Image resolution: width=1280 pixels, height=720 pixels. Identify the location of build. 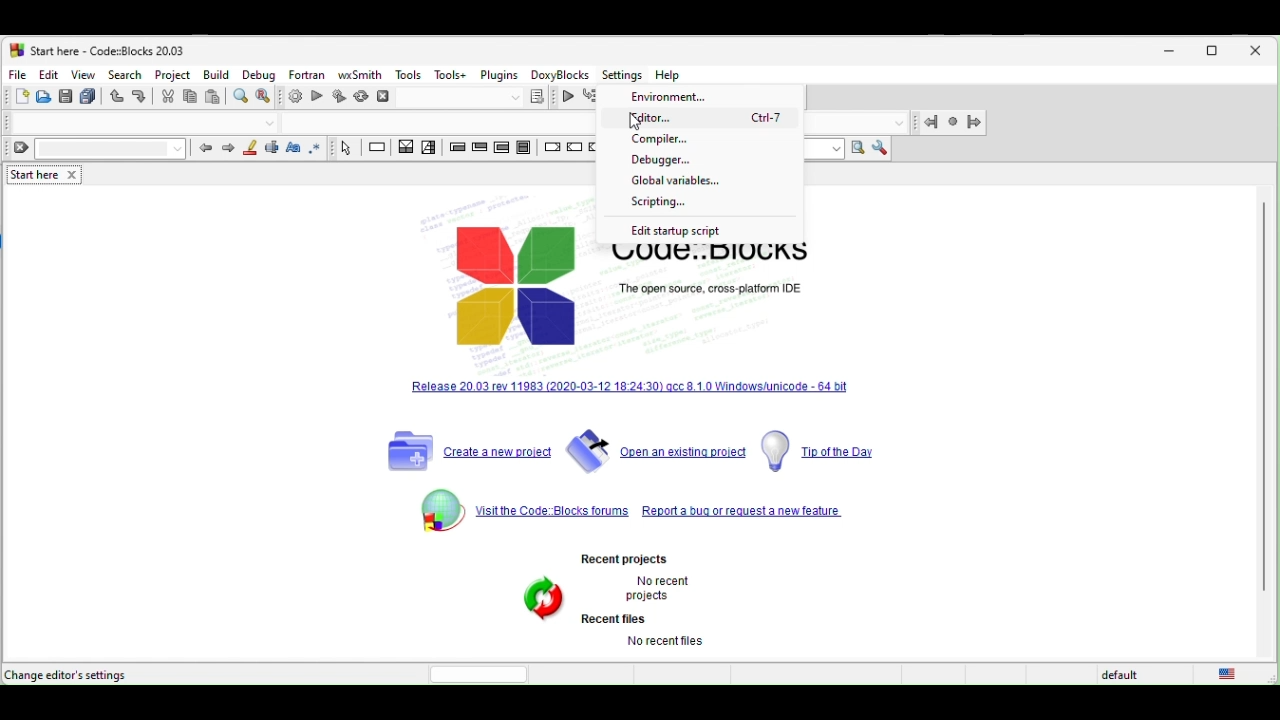
(295, 97).